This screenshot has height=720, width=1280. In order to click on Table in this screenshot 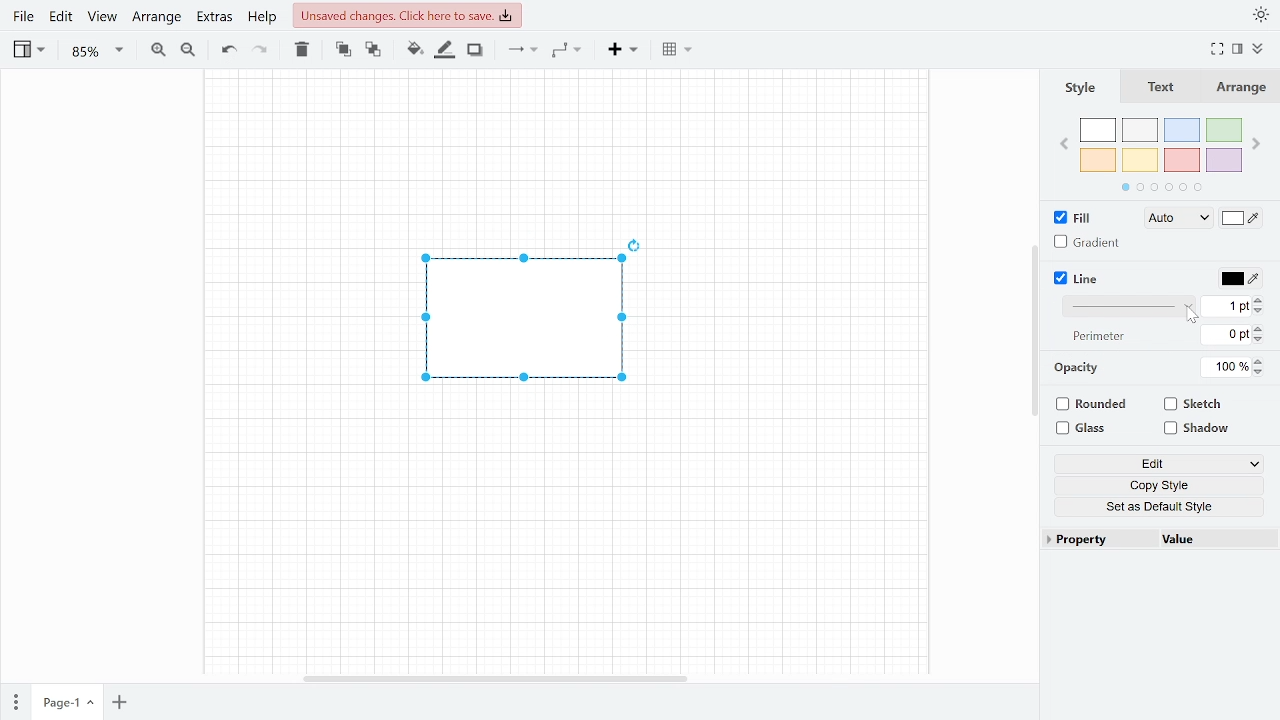, I will do `click(676, 50)`.